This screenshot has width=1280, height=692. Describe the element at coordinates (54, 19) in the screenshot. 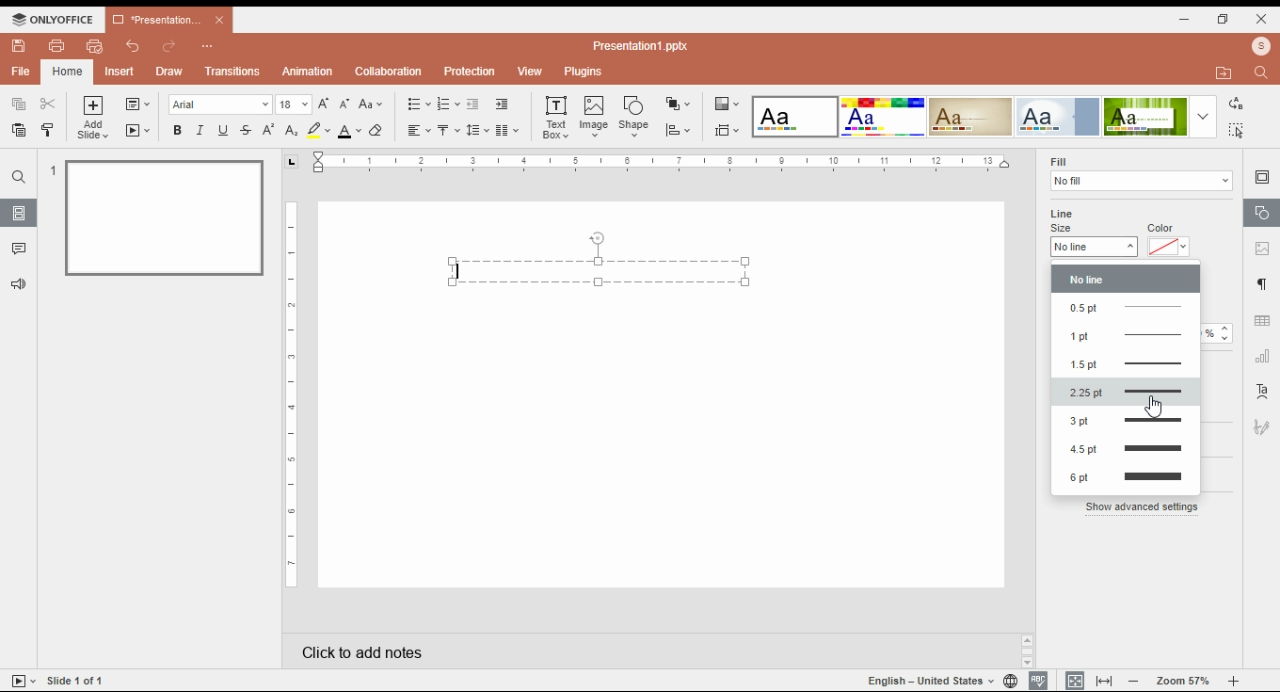

I see `ONLYOFFICE` at that location.